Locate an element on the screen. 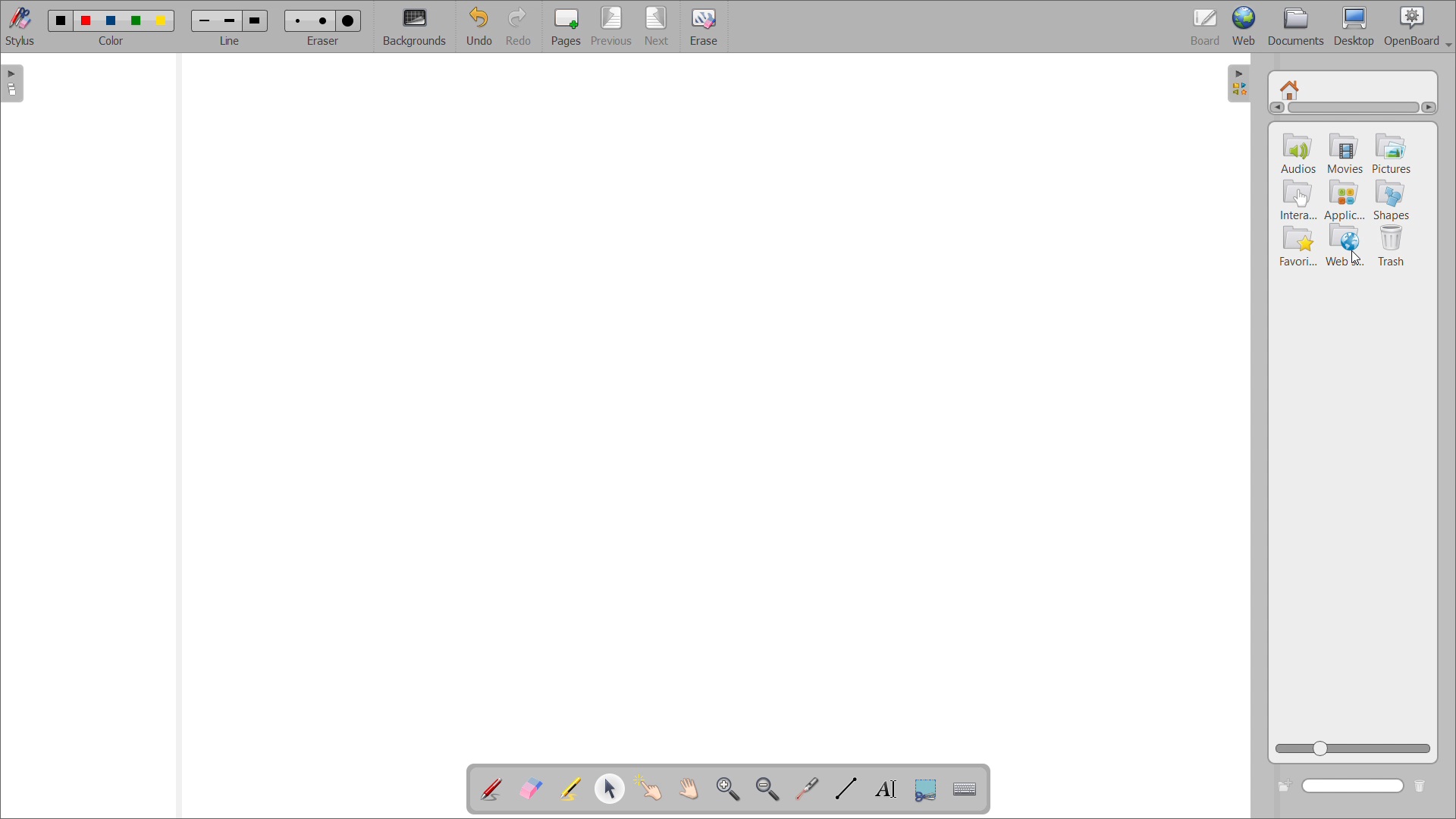 This screenshot has width=1456, height=819. Color 2 is located at coordinates (86, 19).